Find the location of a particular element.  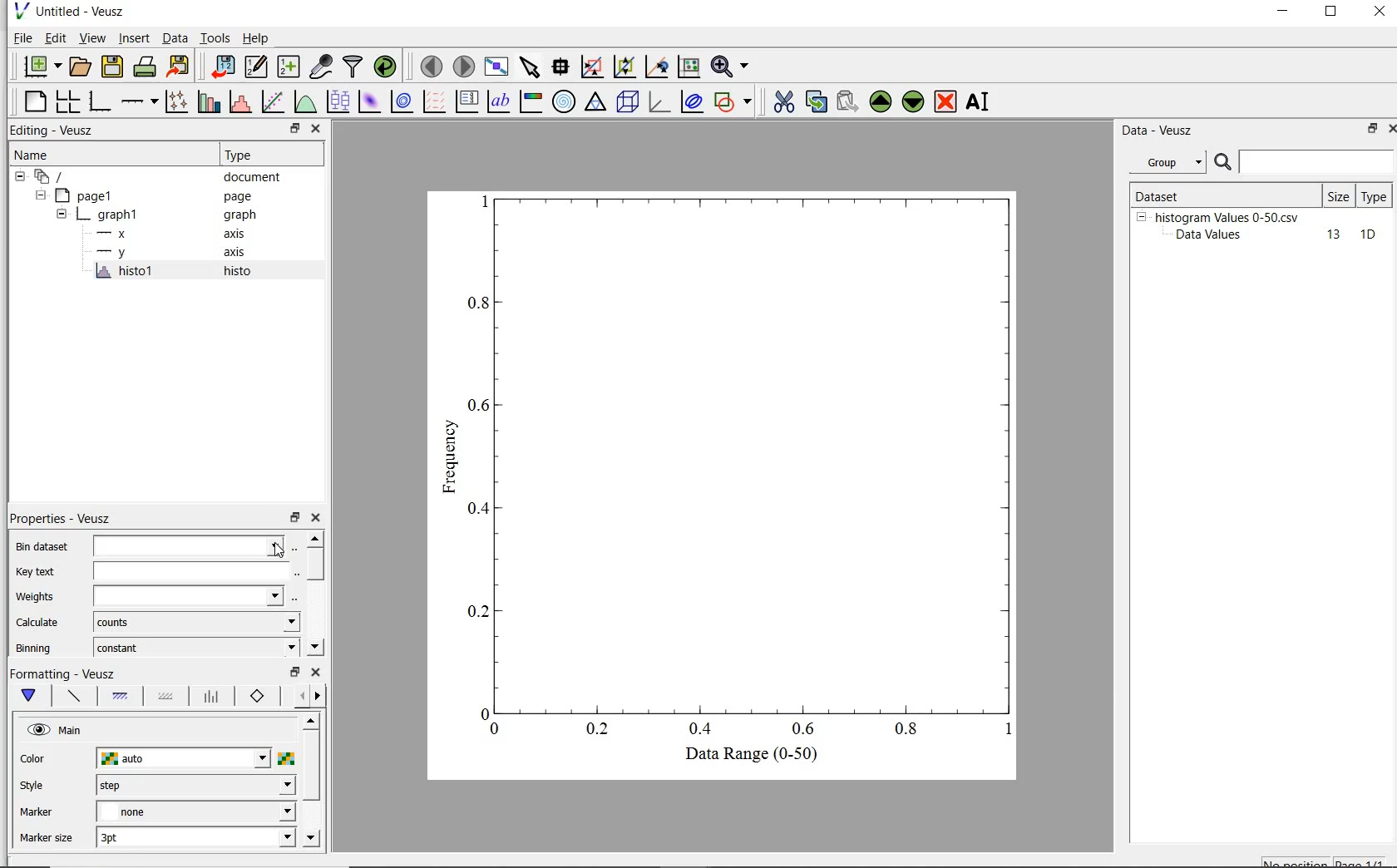

x- axis is located at coordinates (115, 235).